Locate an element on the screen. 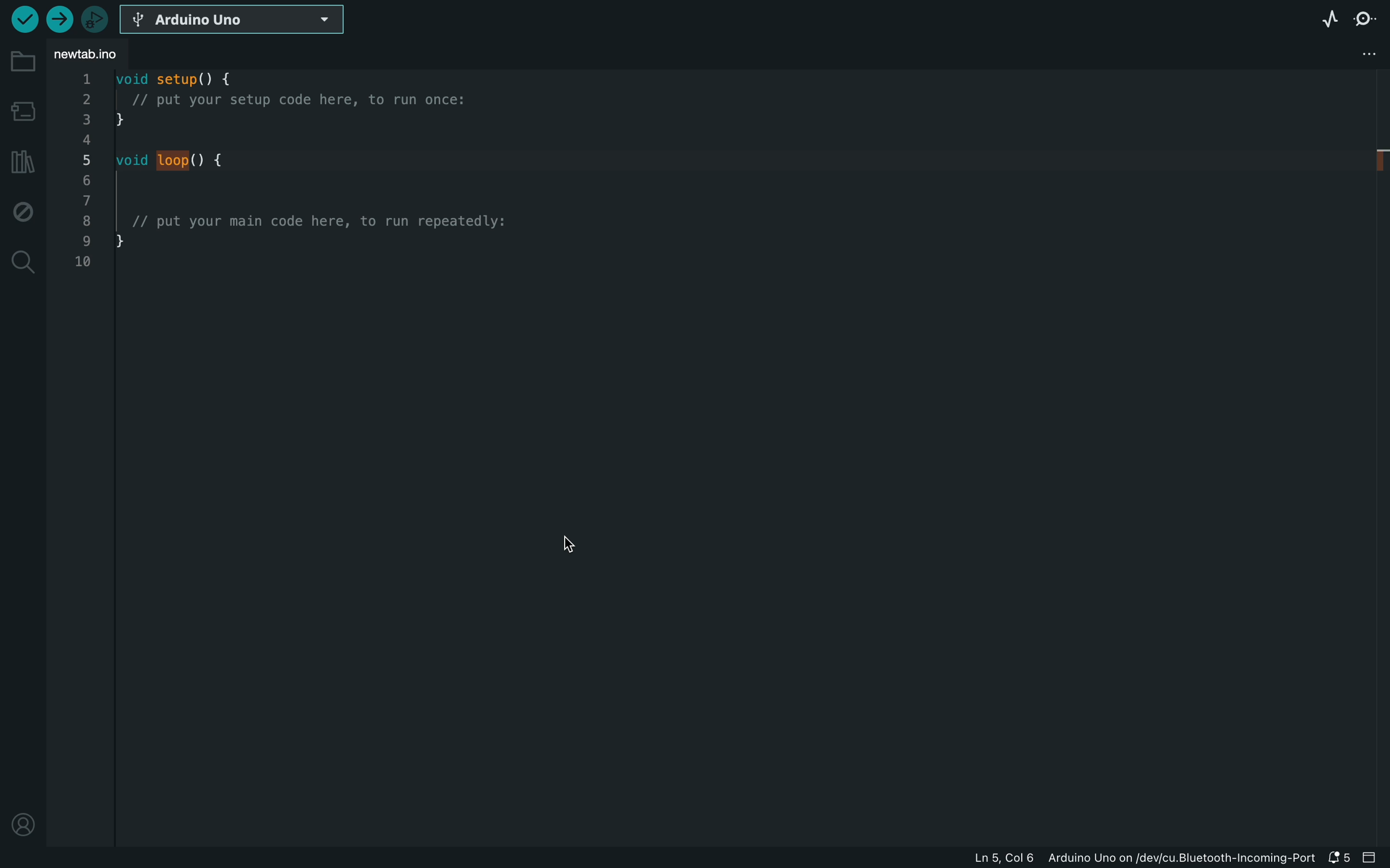 This screenshot has width=1390, height=868. upload is located at coordinates (59, 21).